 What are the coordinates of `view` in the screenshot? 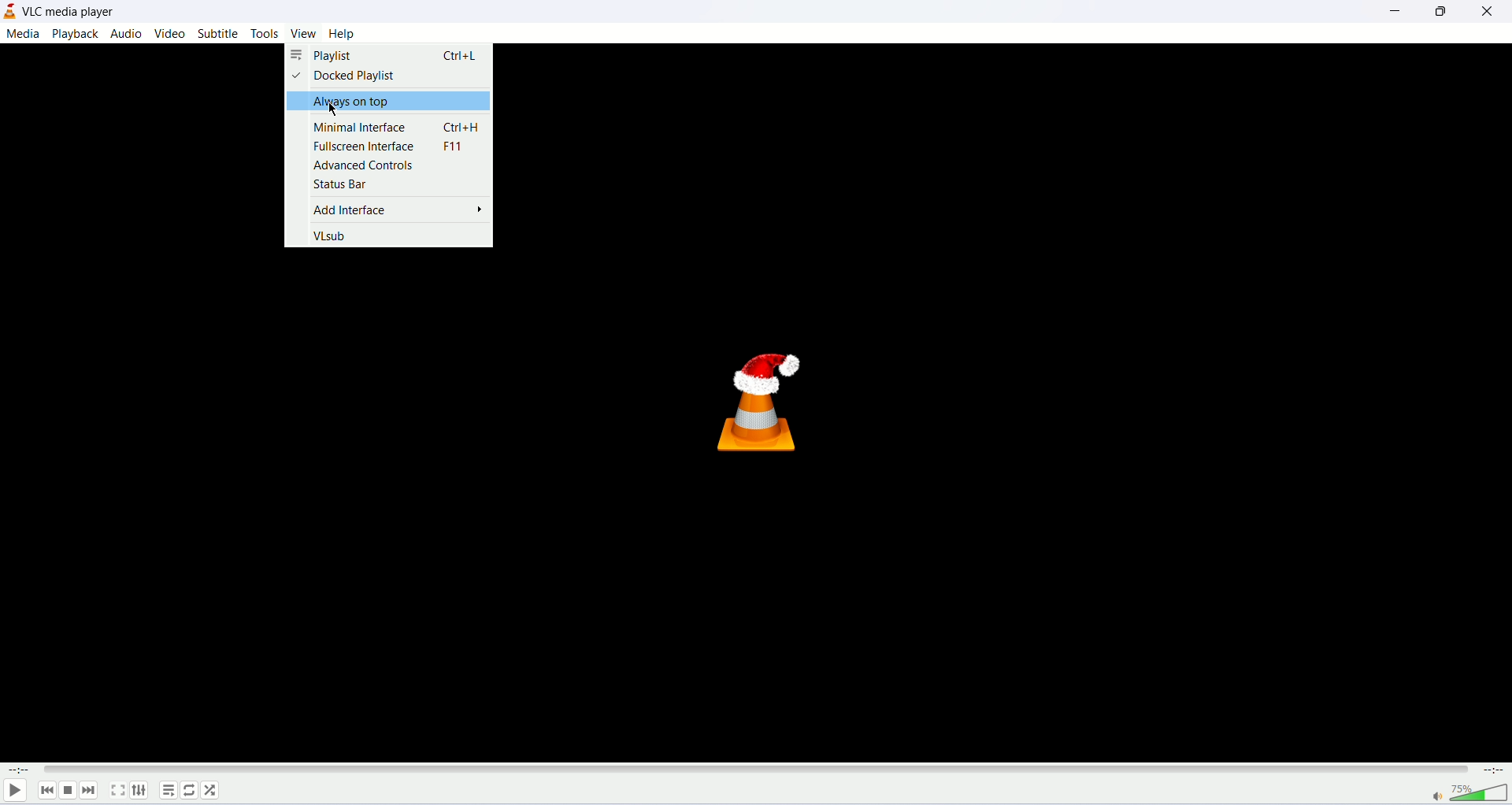 It's located at (306, 34).